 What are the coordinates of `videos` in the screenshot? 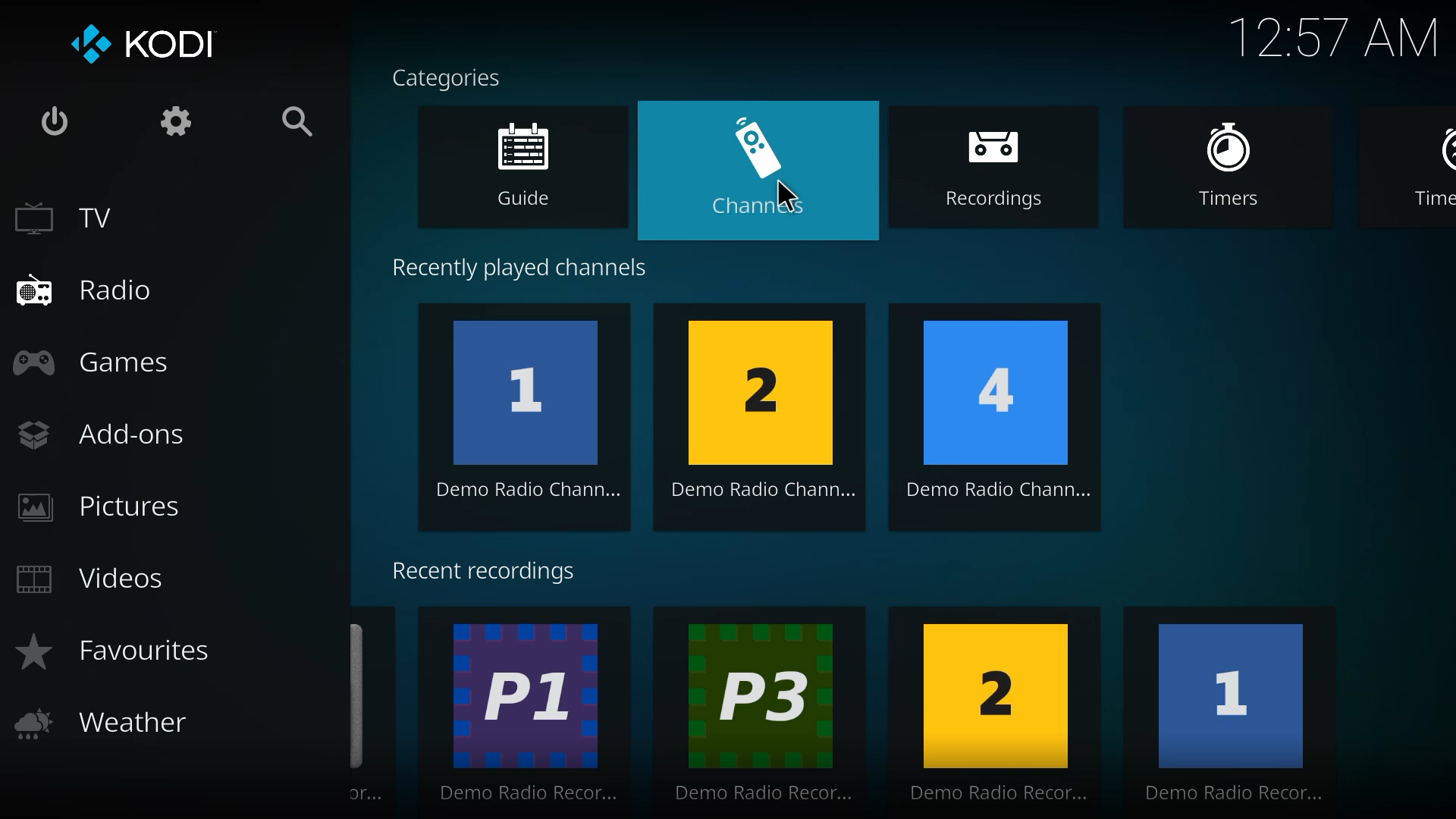 It's located at (92, 581).